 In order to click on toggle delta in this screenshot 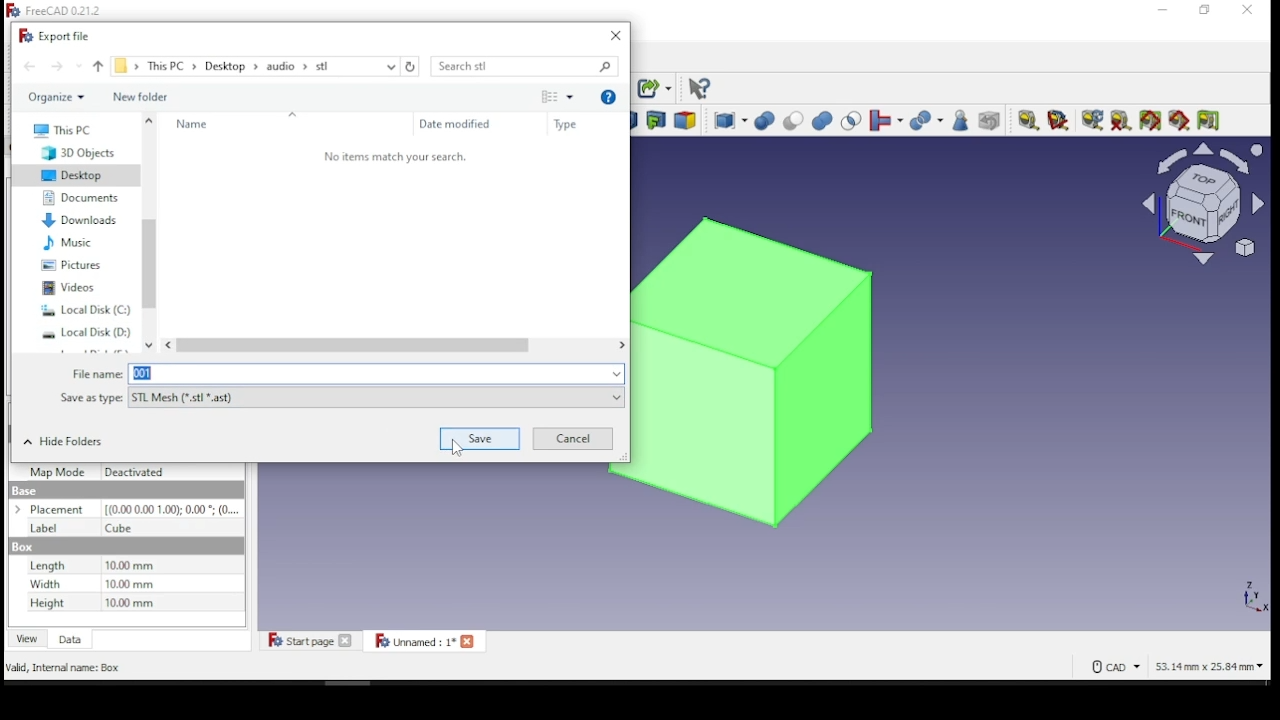, I will do `click(1210, 120)`.